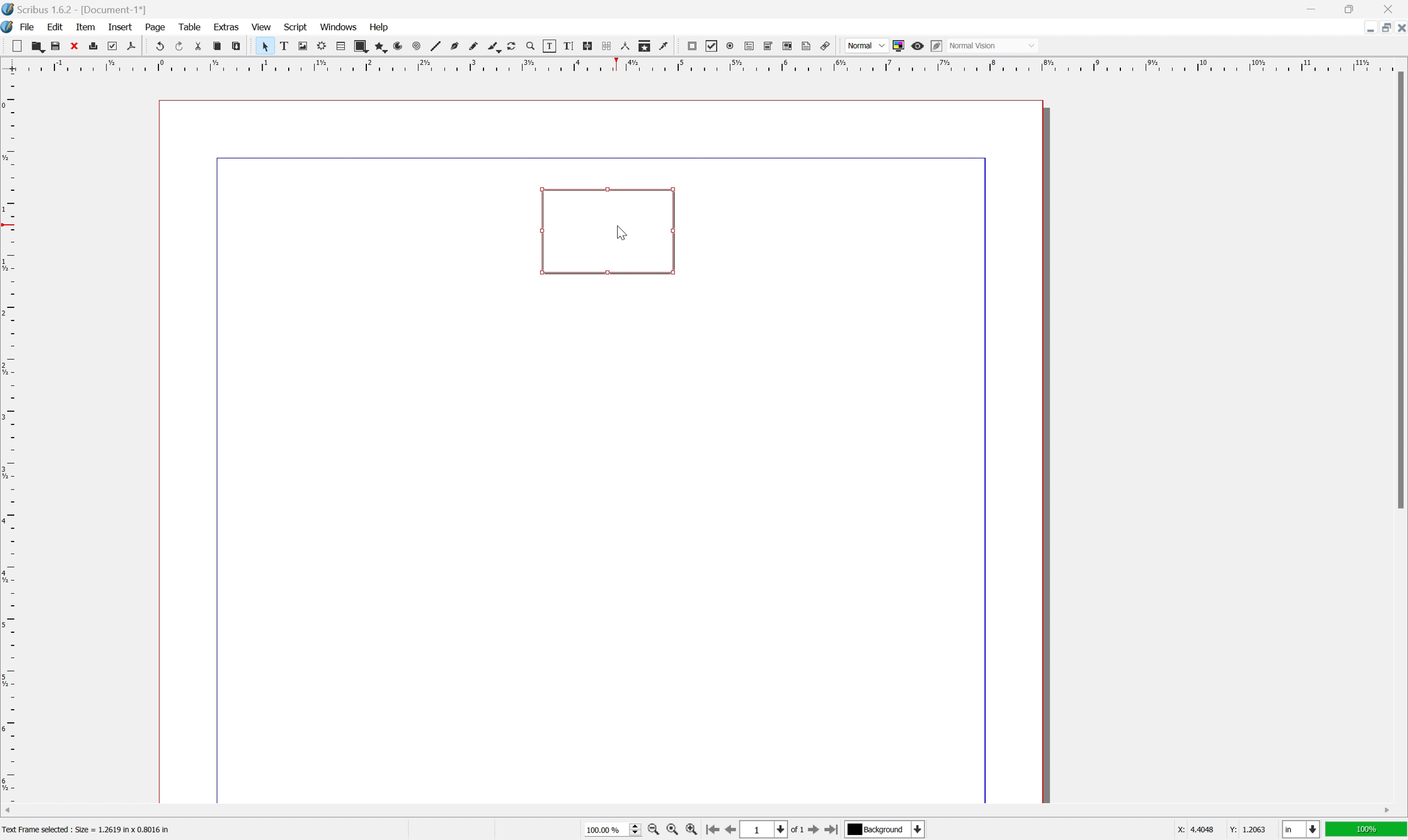  I want to click on measurements, so click(625, 47).